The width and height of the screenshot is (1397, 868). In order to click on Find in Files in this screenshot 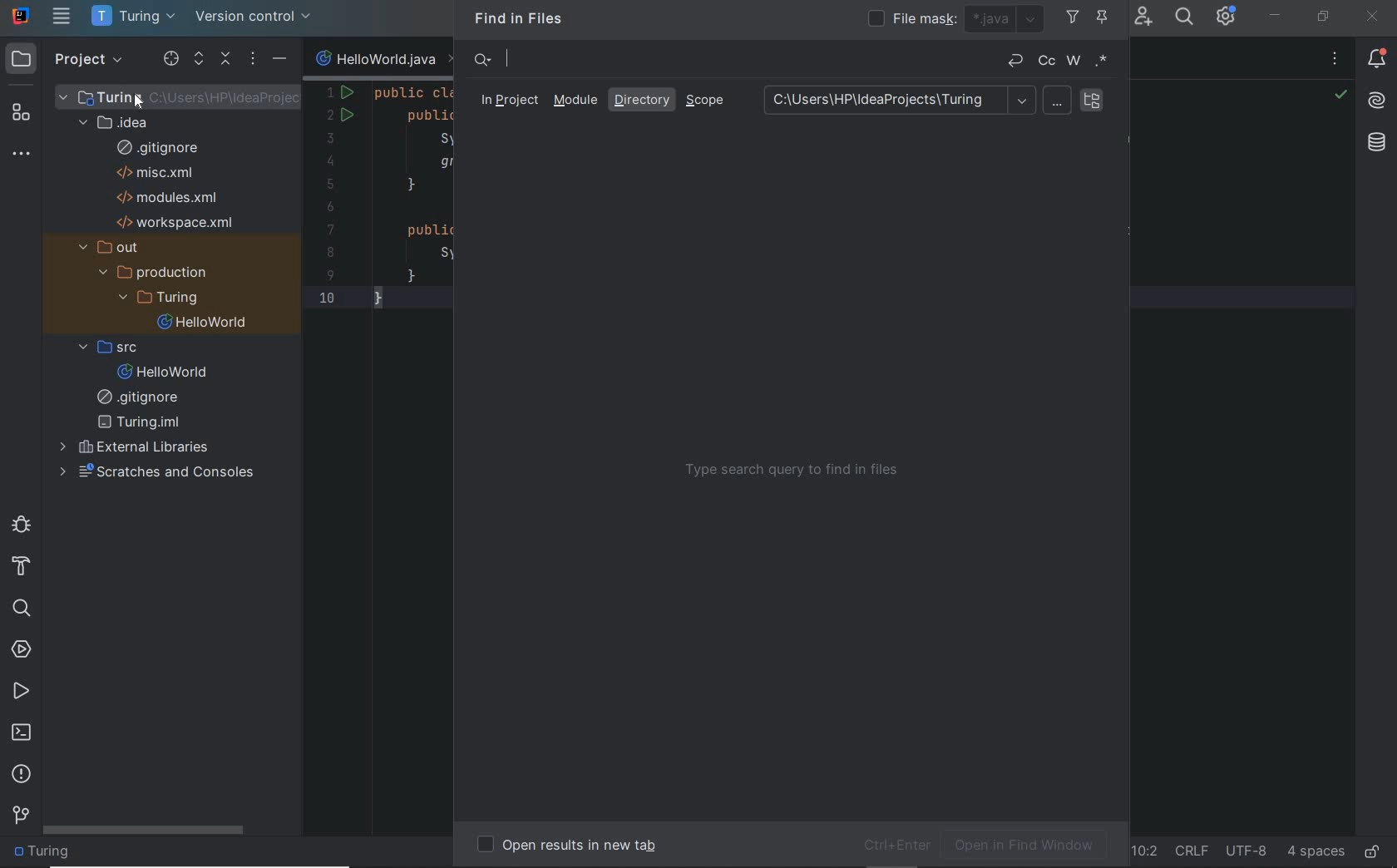, I will do `click(521, 18)`.